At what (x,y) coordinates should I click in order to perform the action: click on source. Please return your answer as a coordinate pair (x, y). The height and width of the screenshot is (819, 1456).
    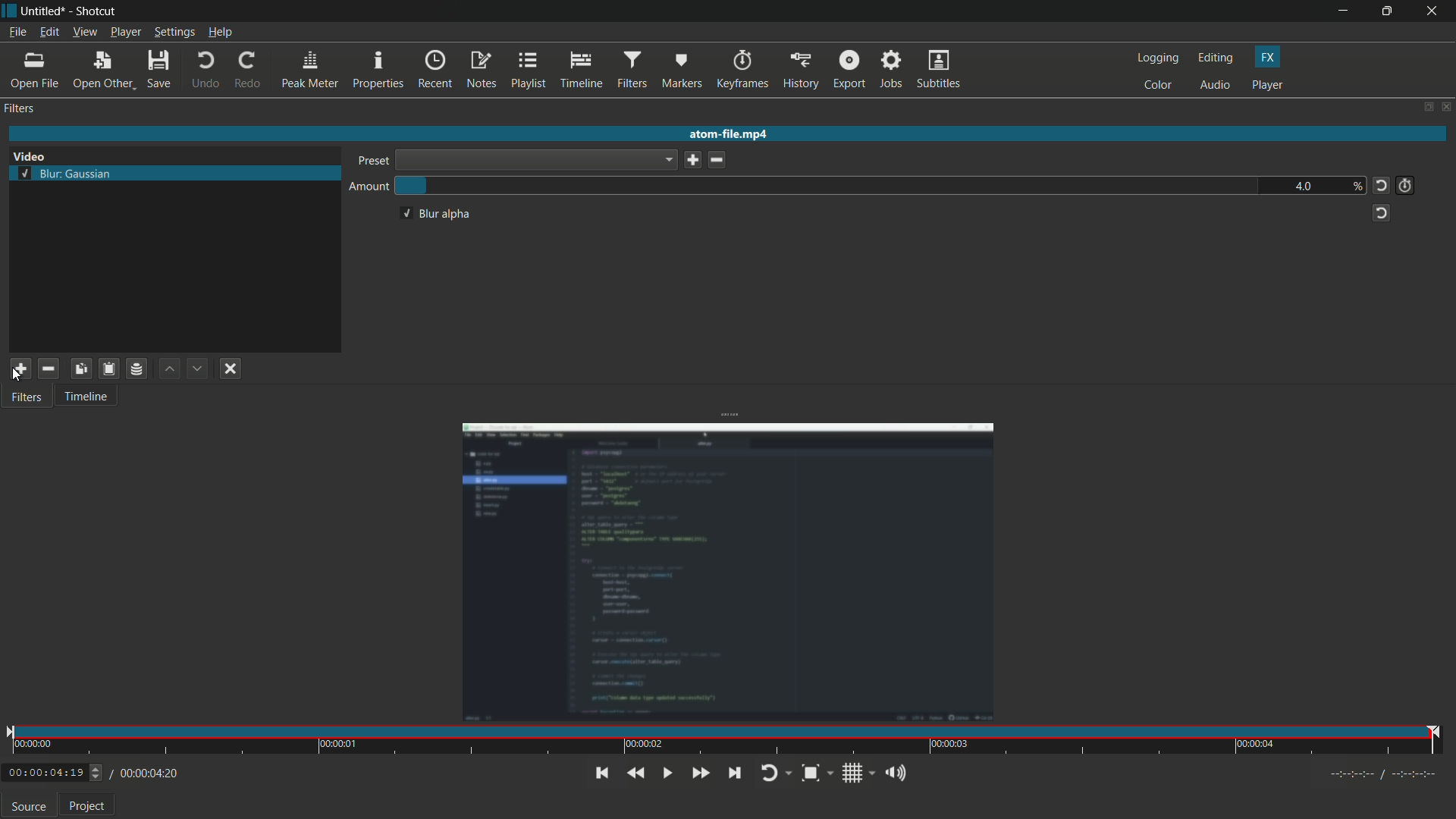
    Looking at the image, I should click on (28, 807).